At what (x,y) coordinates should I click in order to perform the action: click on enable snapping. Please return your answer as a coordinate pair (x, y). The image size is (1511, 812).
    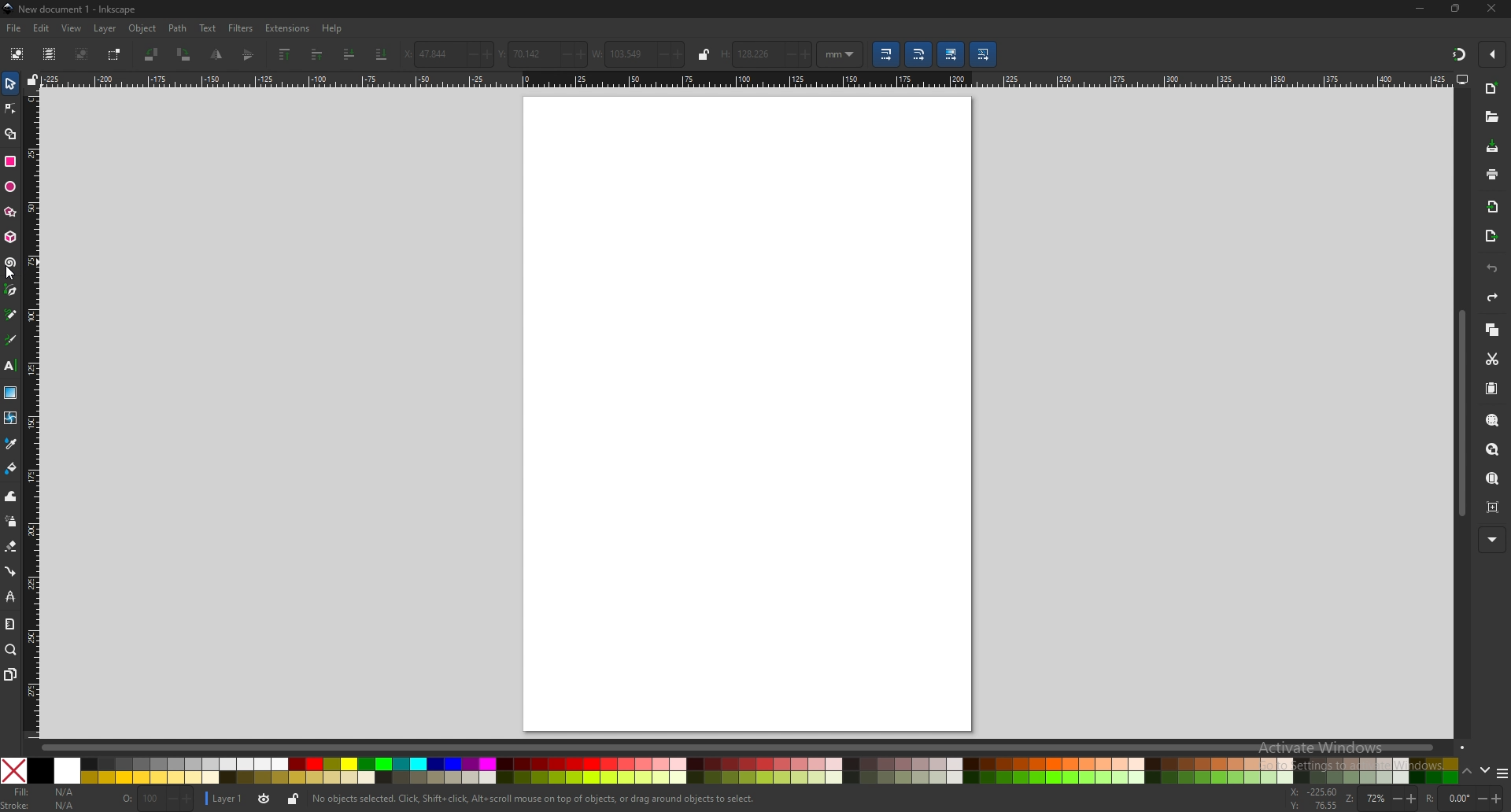
    Looking at the image, I should click on (1491, 53).